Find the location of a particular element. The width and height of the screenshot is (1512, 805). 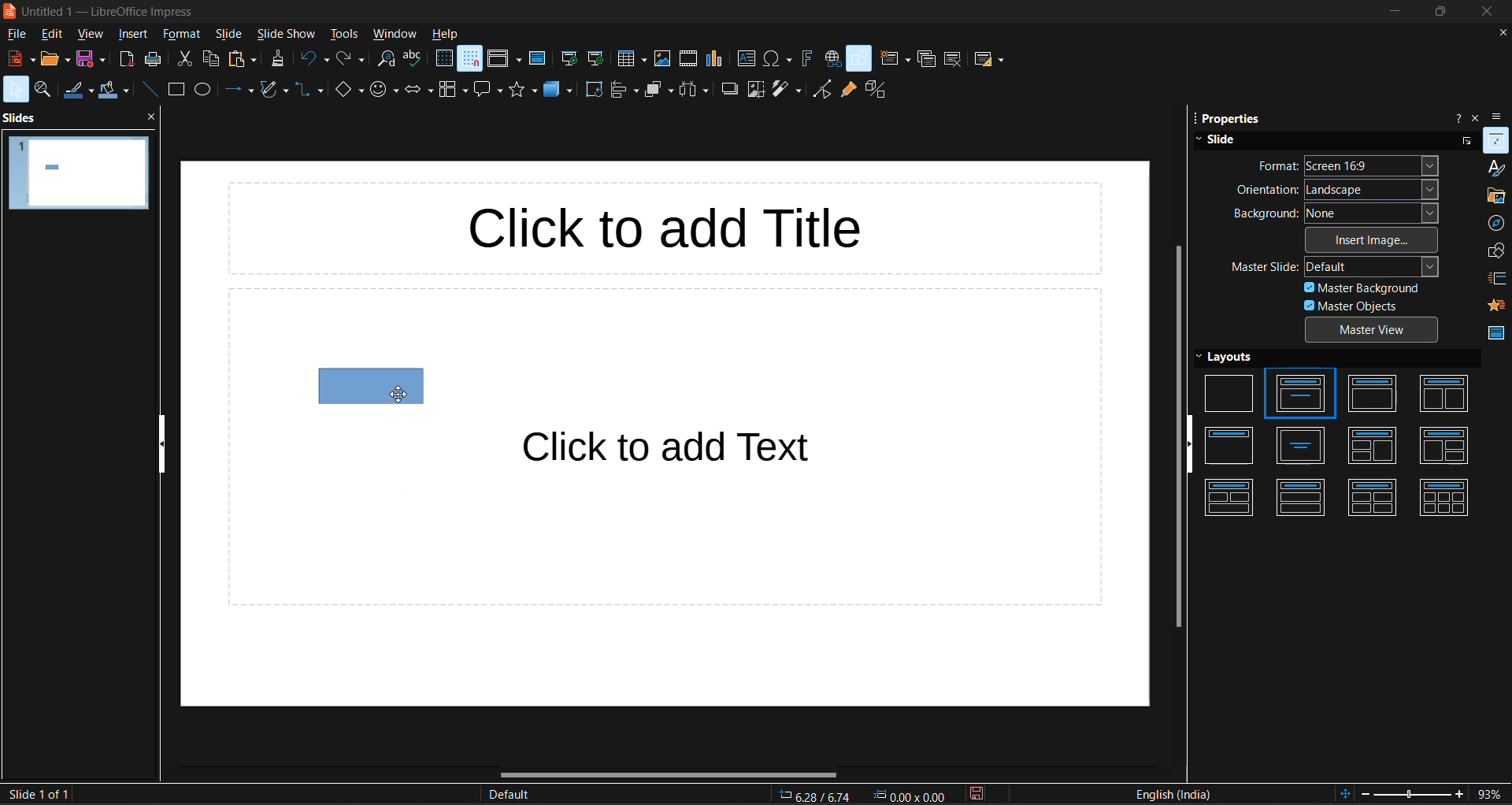

English(India) is located at coordinates (1175, 793).